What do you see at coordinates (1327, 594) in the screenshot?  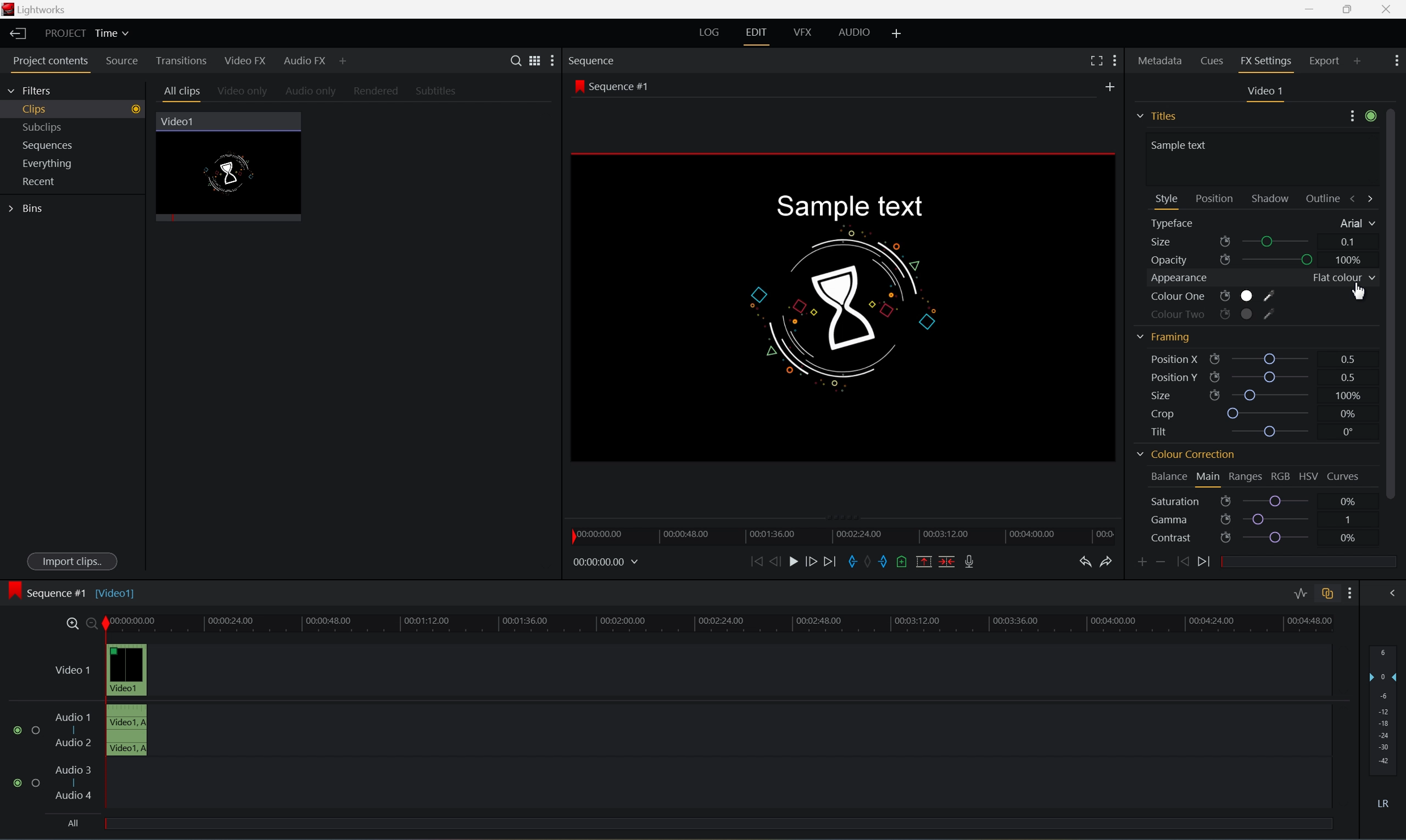 I see `toggle auto track sync` at bounding box center [1327, 594].